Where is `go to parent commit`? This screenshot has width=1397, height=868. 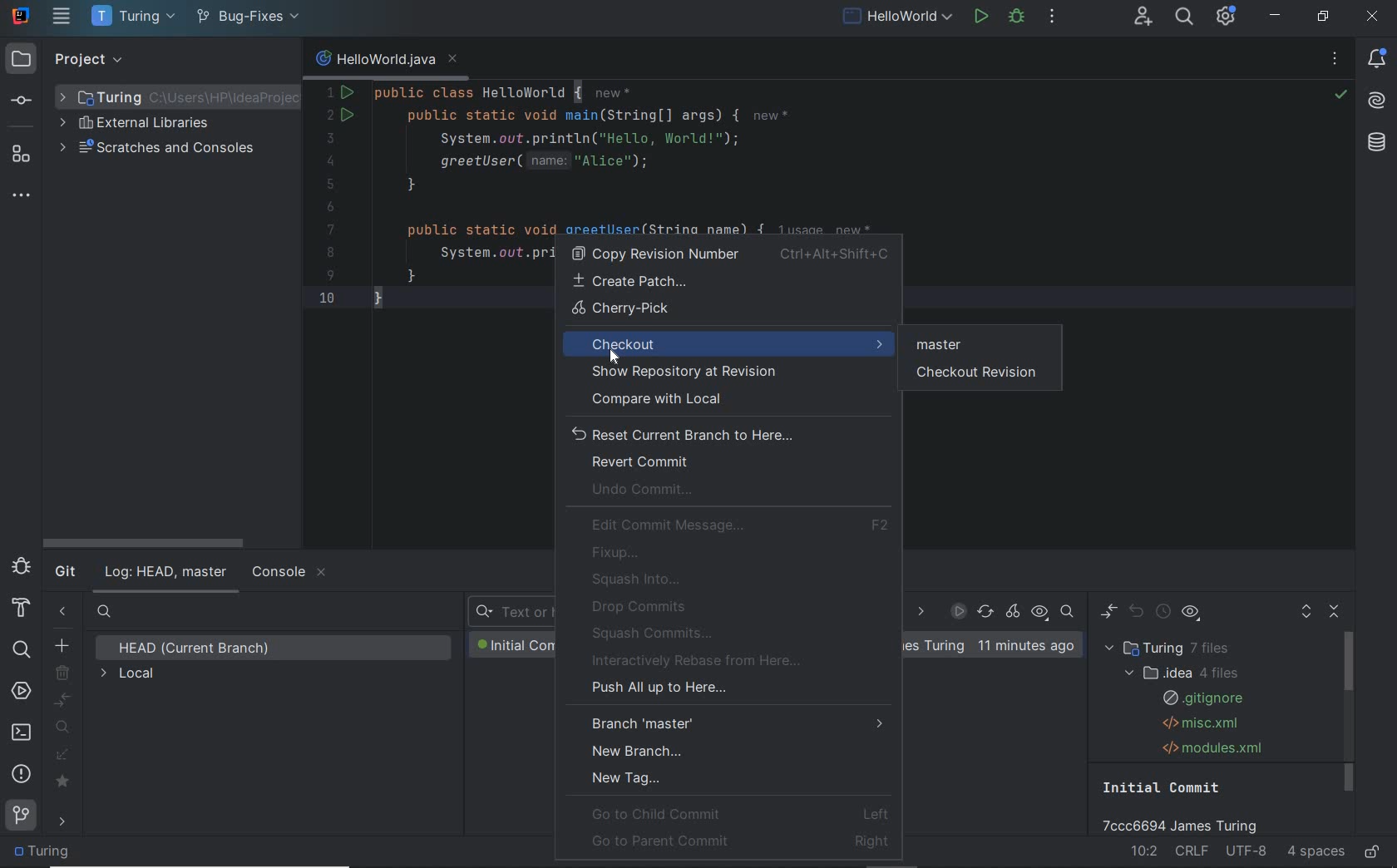 go to parent commit is located at coordinates (741, 840).